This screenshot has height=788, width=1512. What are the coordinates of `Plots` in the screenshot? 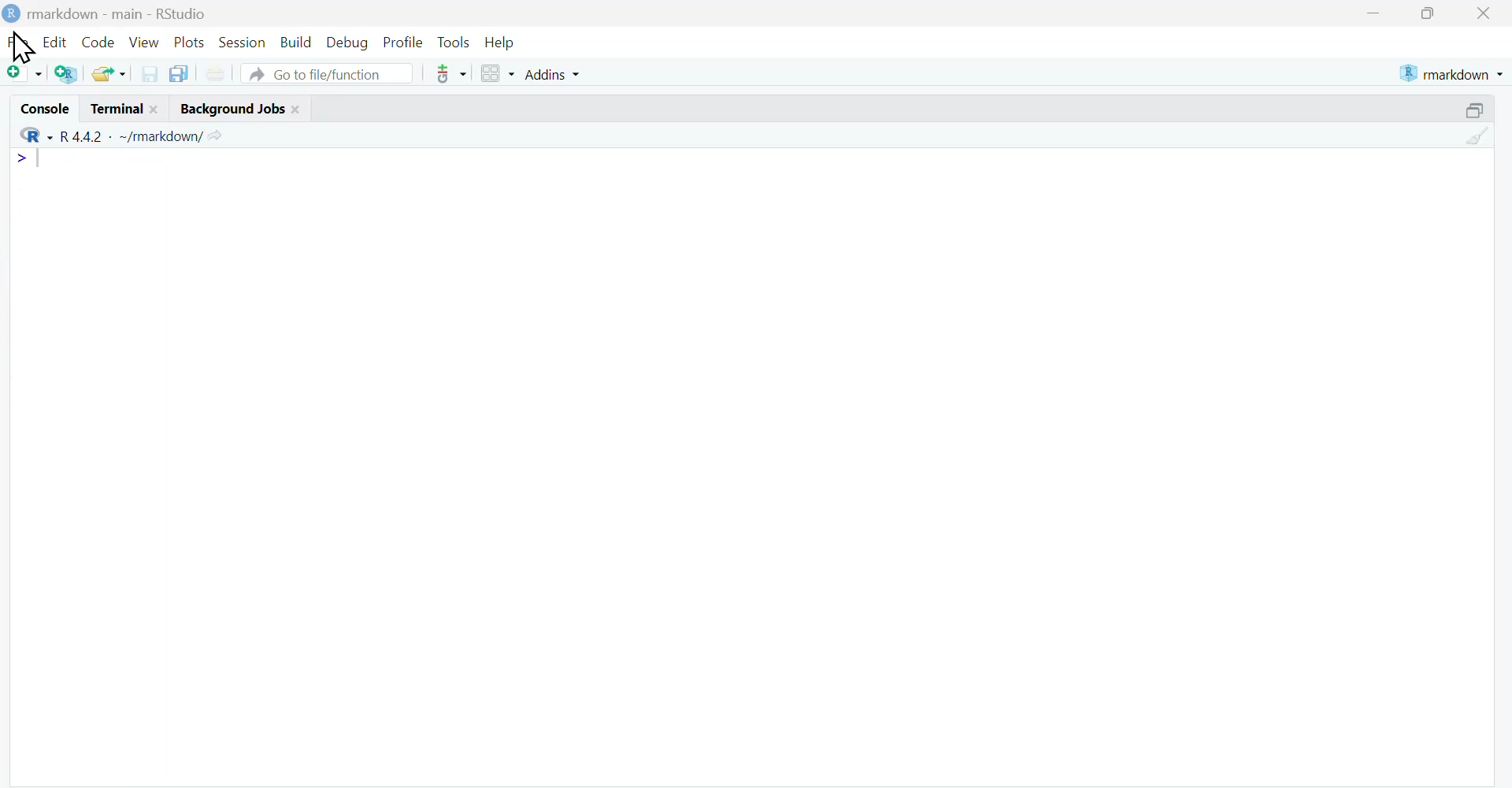 It's located at (191, 43).